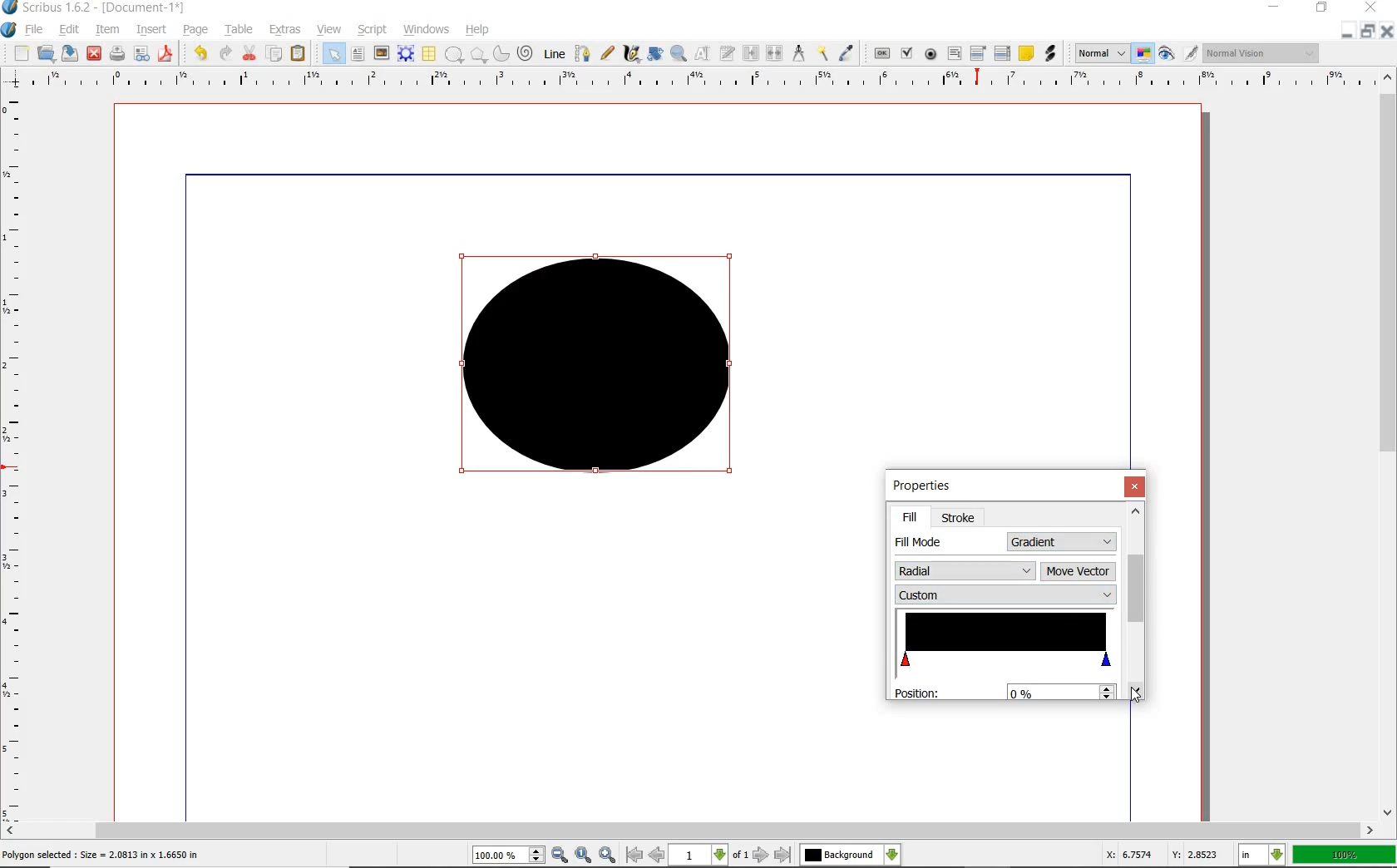 Image resolution: width=1397 pixels, height=868 pixels. I want to click on PASTE, so click(298, 55).